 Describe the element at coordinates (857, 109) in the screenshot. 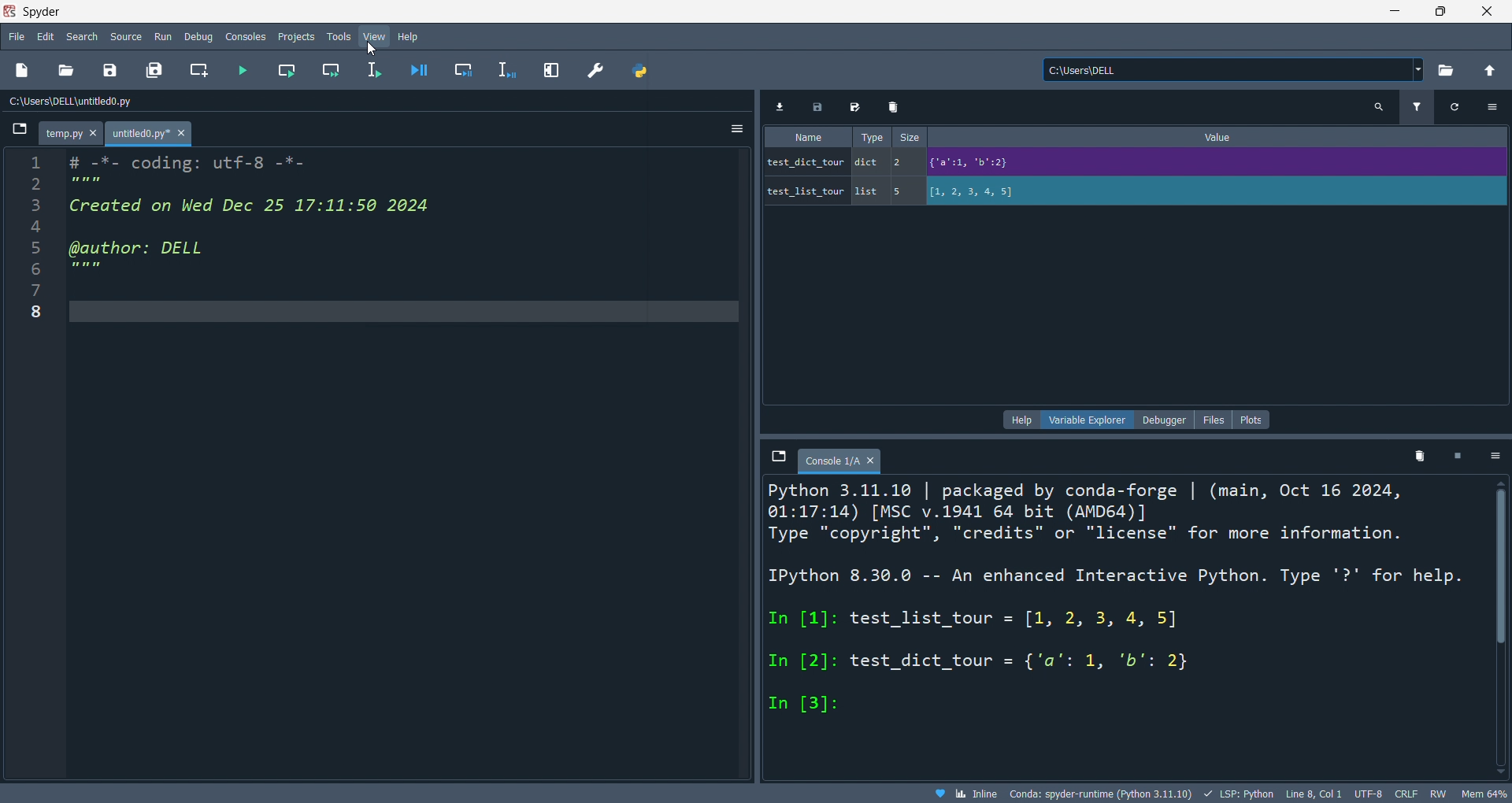

I see `save as` at that location.